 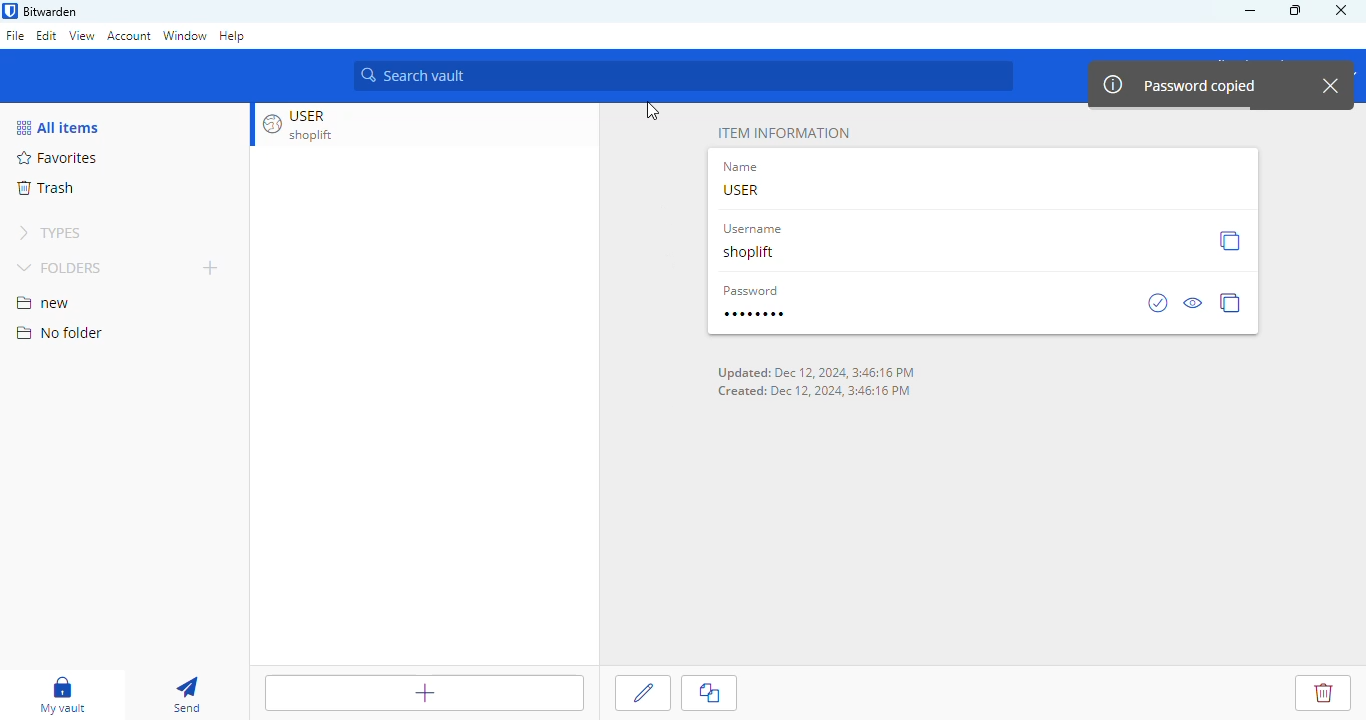 What do you see at coordinates (752, 290) in the screenshot?
I see `password` at bounding box center [752, 290].